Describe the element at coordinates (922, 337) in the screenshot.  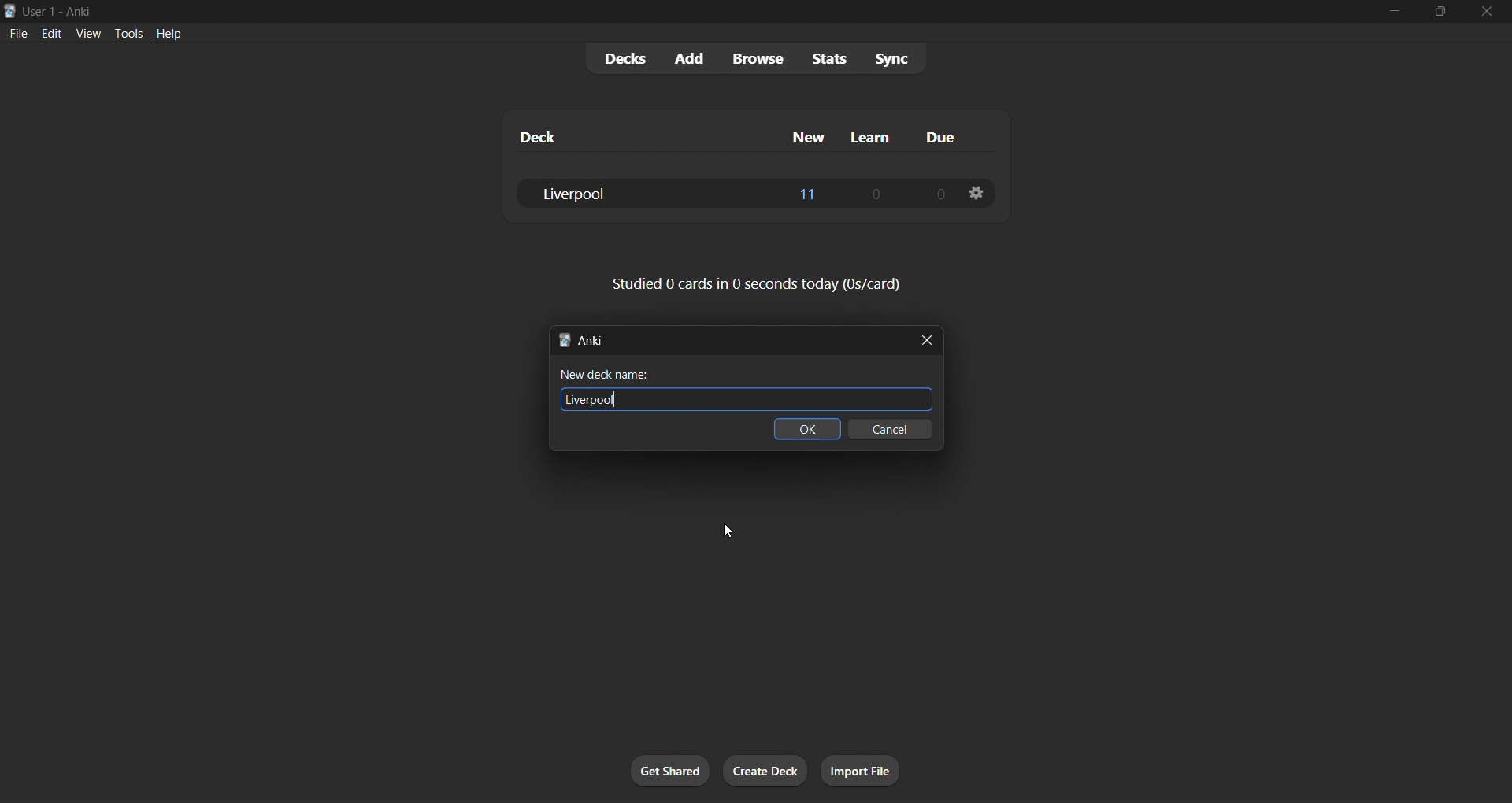
I see `close` at that location.